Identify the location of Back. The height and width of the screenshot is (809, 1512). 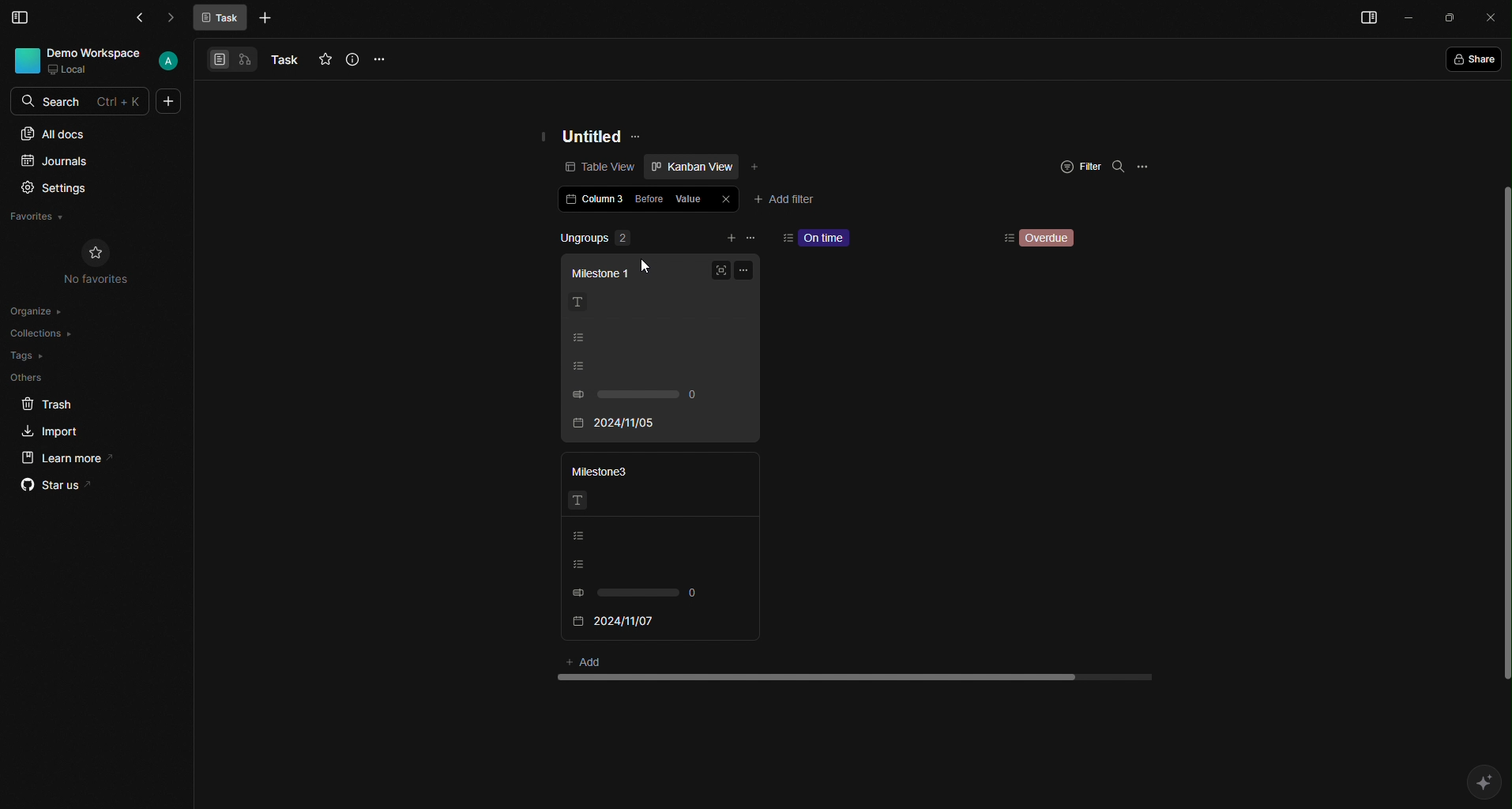
(145, 17).